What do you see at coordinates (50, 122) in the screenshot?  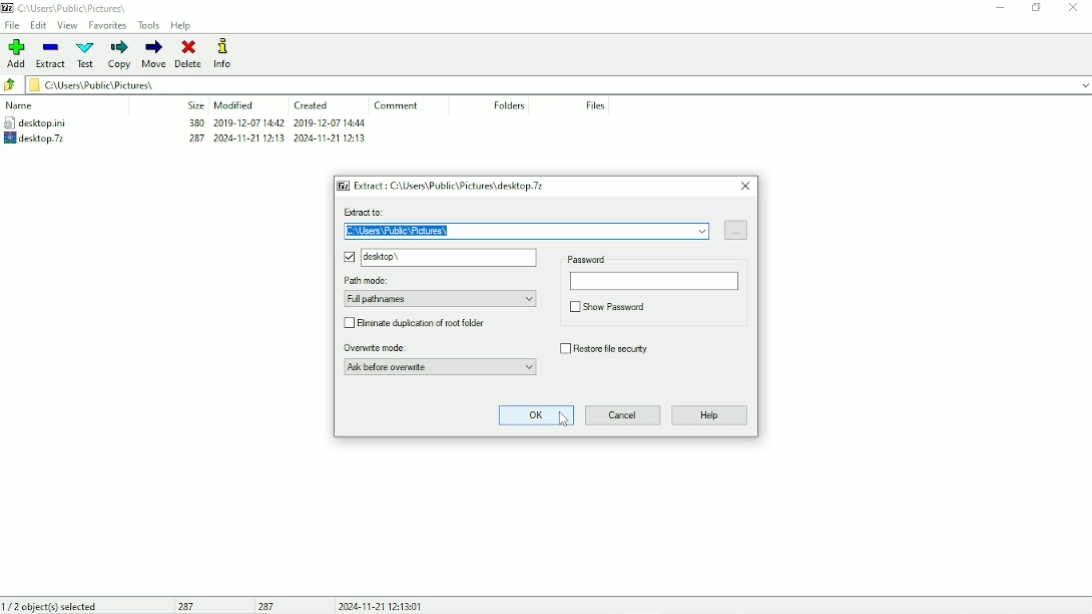 I see `desktop.ini` at bounding box center [50, 122].